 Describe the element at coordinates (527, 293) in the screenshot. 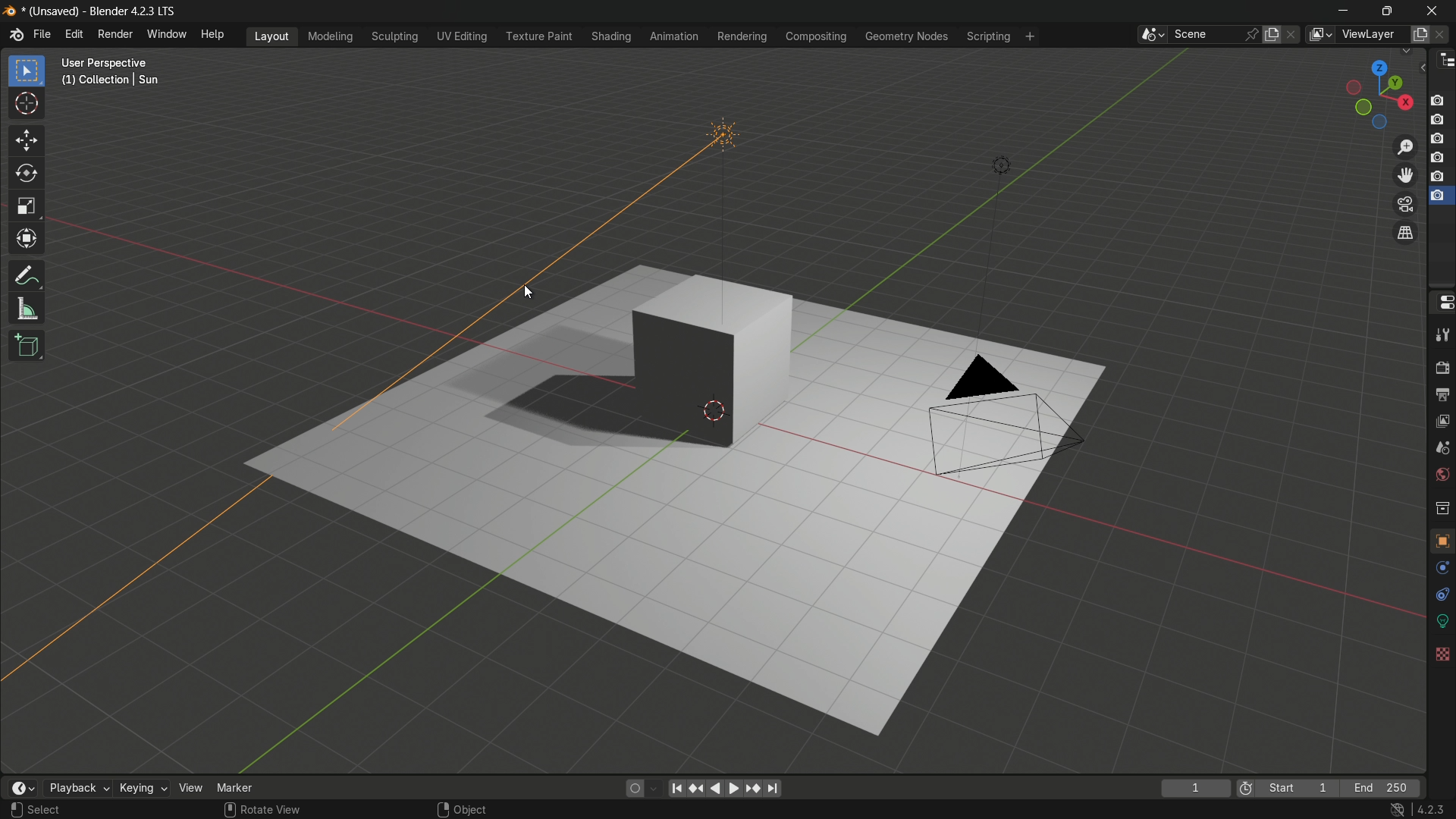

I see `cursor` at that location.